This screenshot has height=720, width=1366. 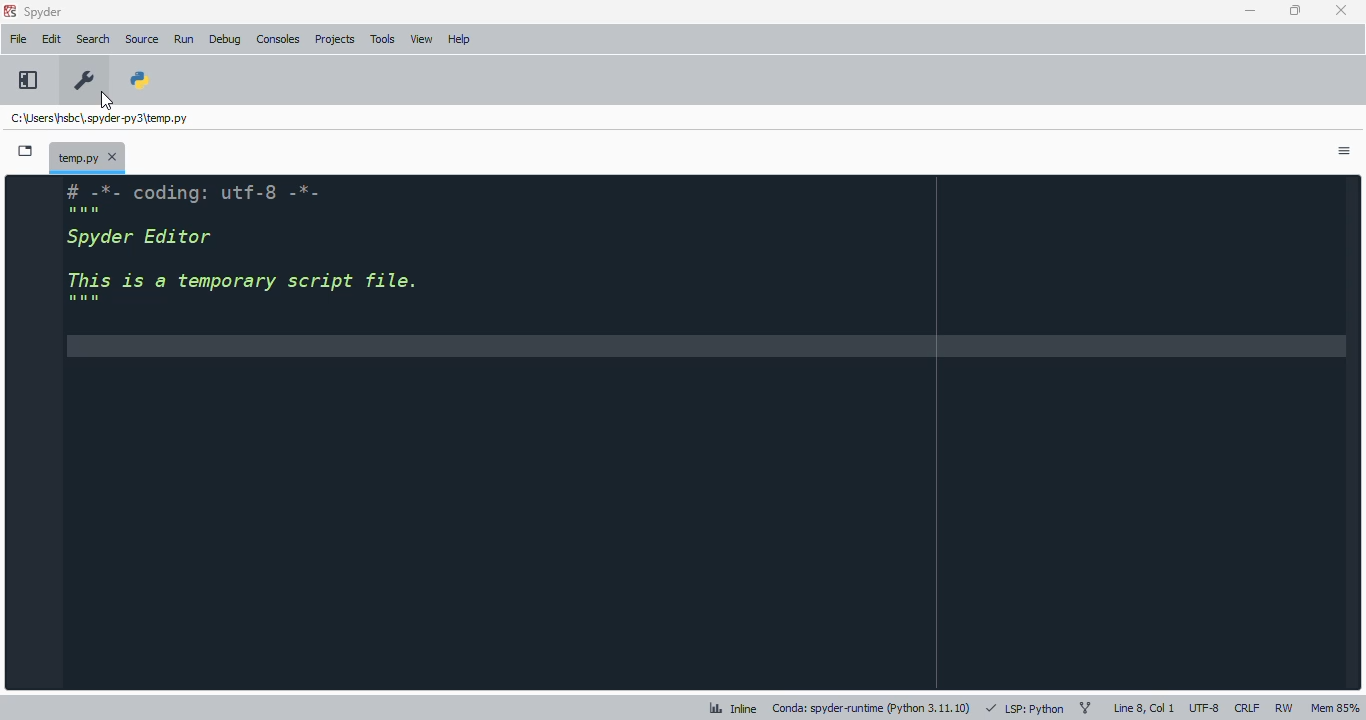 What do you see at coordinates (336, 39) in the screenshot?
I see `projects` at bounding box center [336, 39].